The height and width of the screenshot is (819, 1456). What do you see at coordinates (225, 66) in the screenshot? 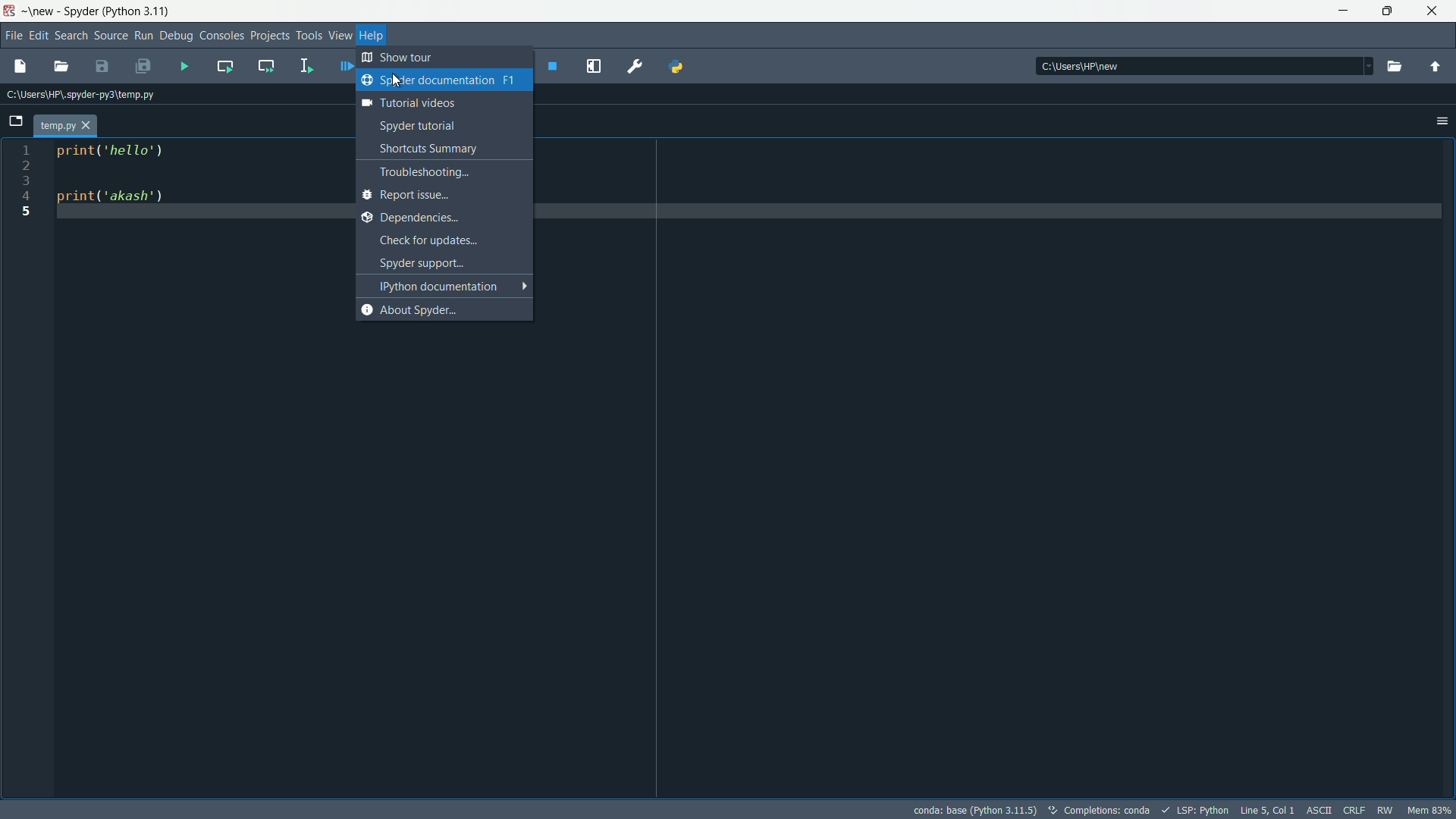
I see `run current cell` at bounding box center [225, 66].